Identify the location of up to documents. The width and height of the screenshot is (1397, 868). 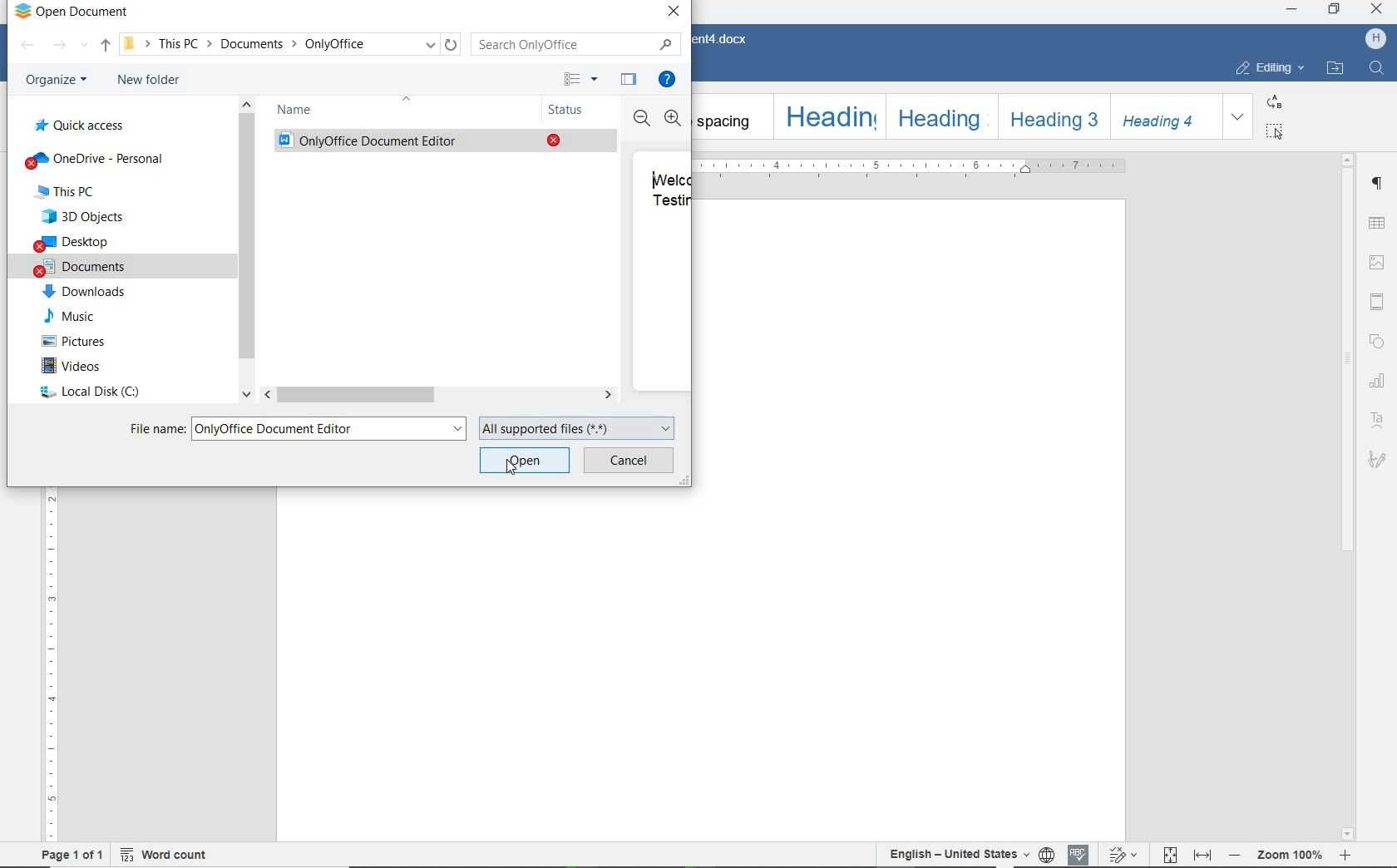
(100, 45).